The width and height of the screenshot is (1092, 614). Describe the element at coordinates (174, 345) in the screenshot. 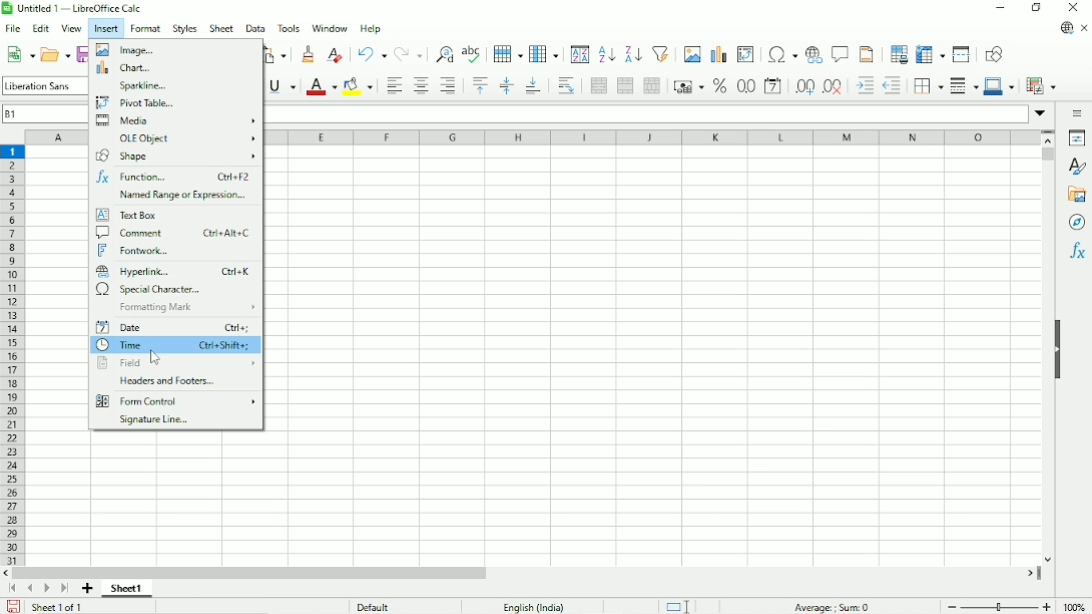

I see `Time` at that location.